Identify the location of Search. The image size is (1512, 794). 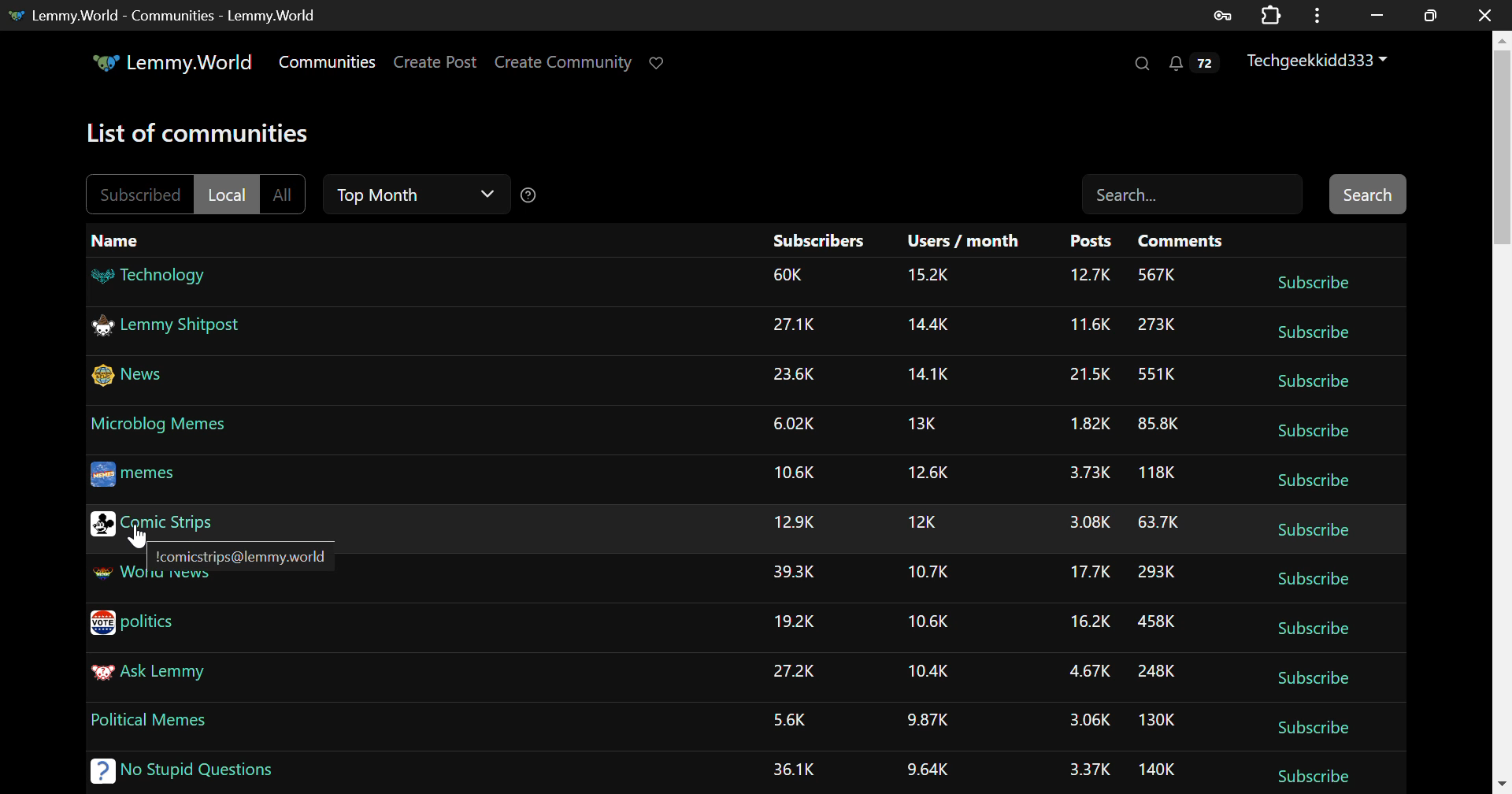
(1194, 192).